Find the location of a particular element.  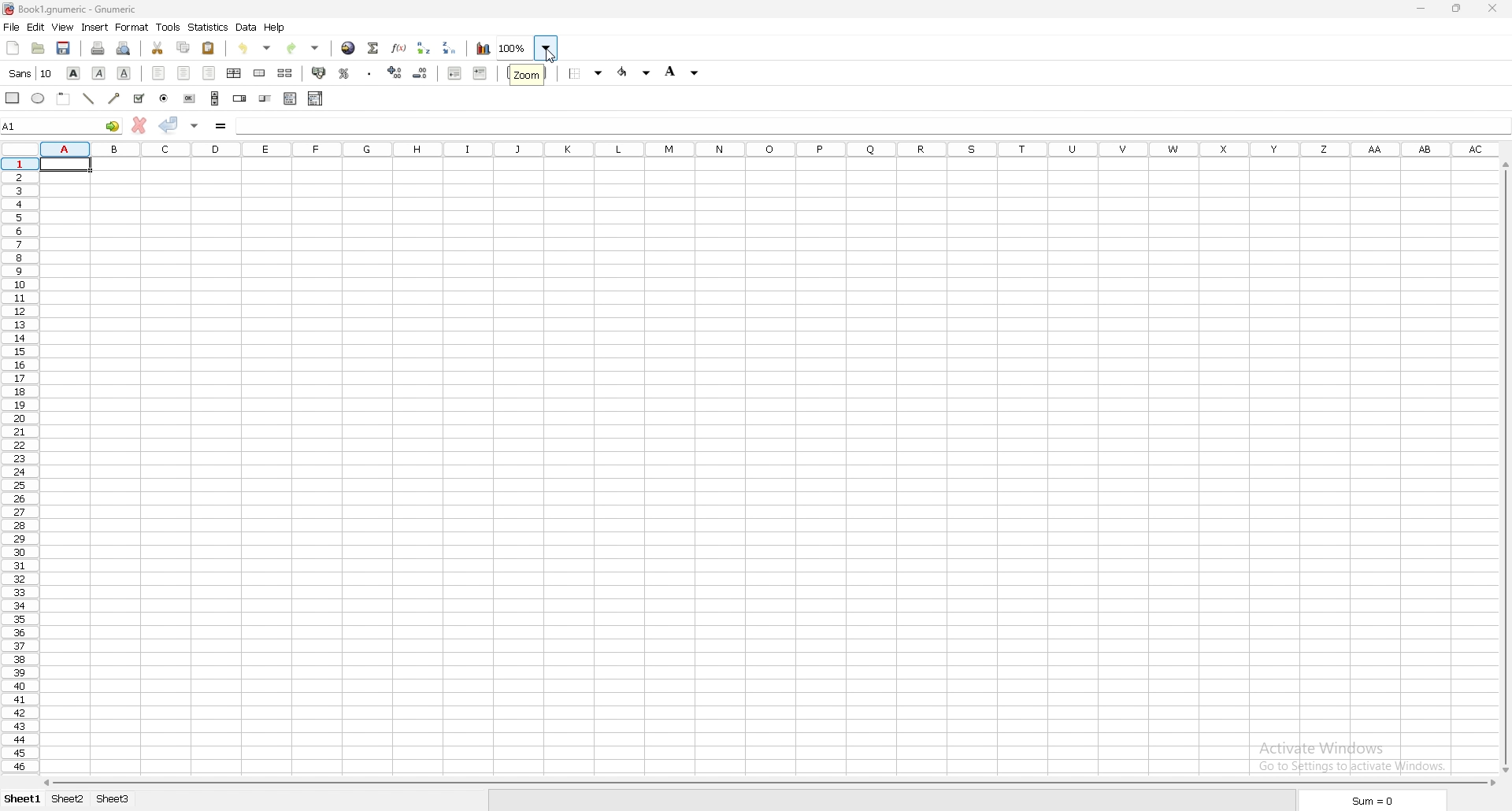

scroll bar is located at coordinates (769, 783).